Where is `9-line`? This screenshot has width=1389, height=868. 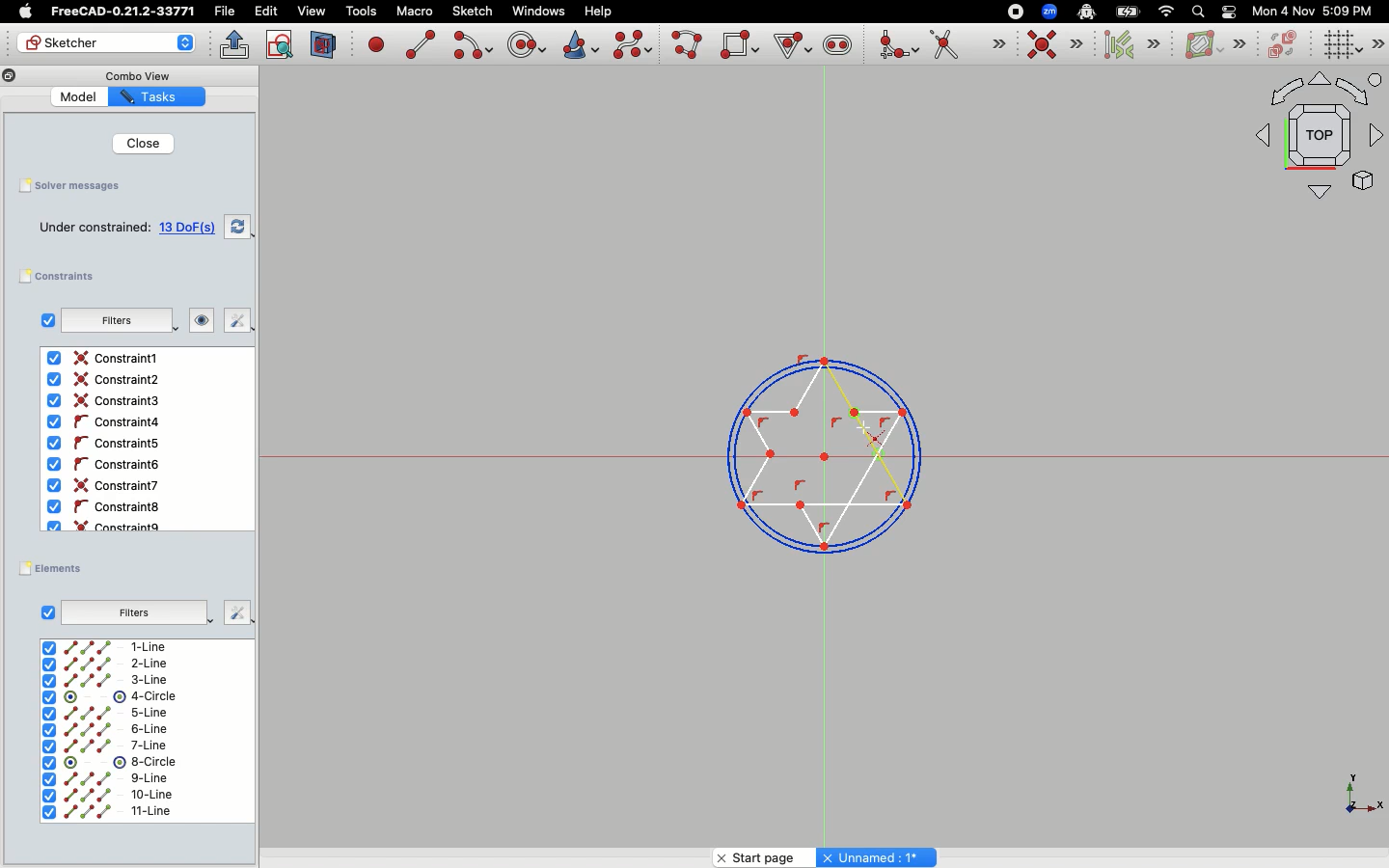 9-line is located at coordinates (110, 779).